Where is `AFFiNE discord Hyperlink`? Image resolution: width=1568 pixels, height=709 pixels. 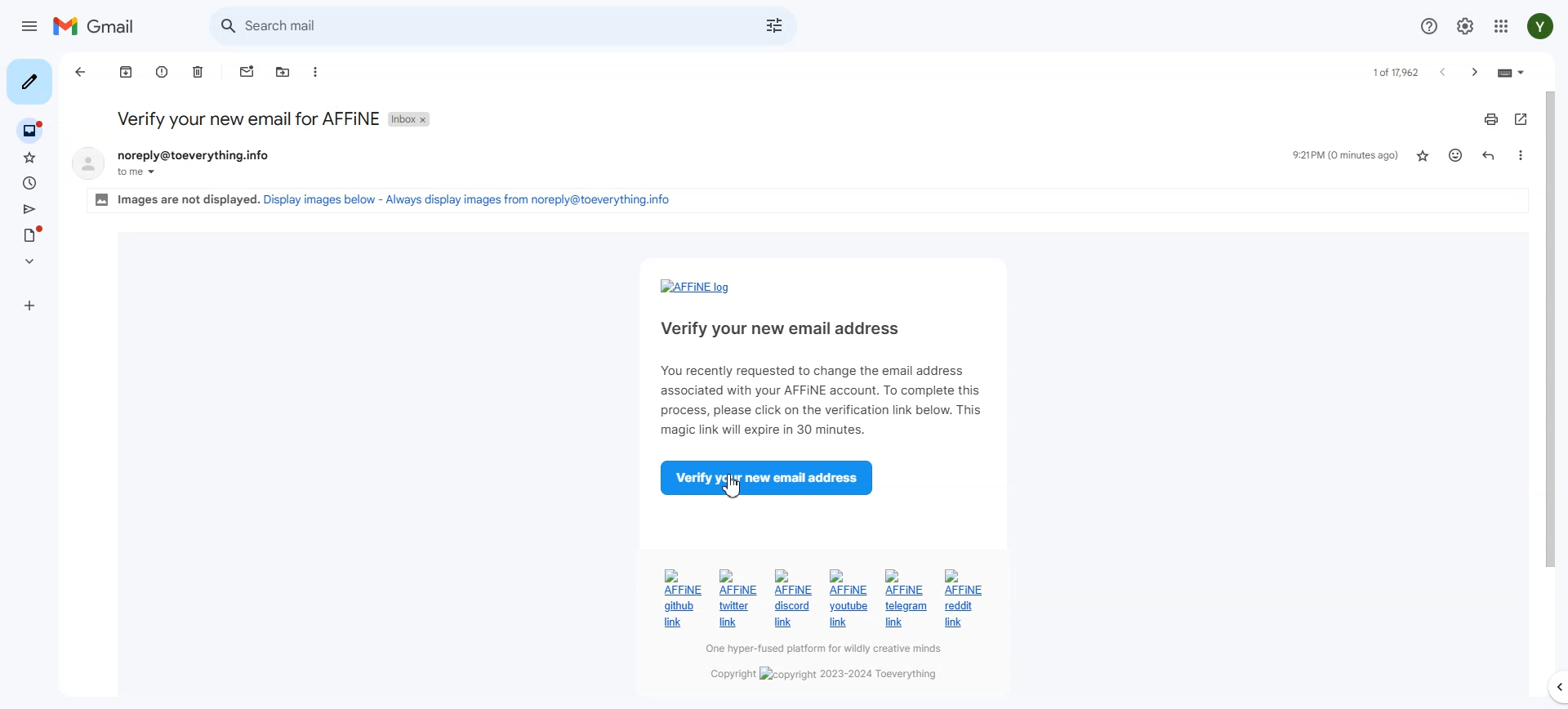
AFFiNE discord Hyperlink is located at coordinates (791, 598).